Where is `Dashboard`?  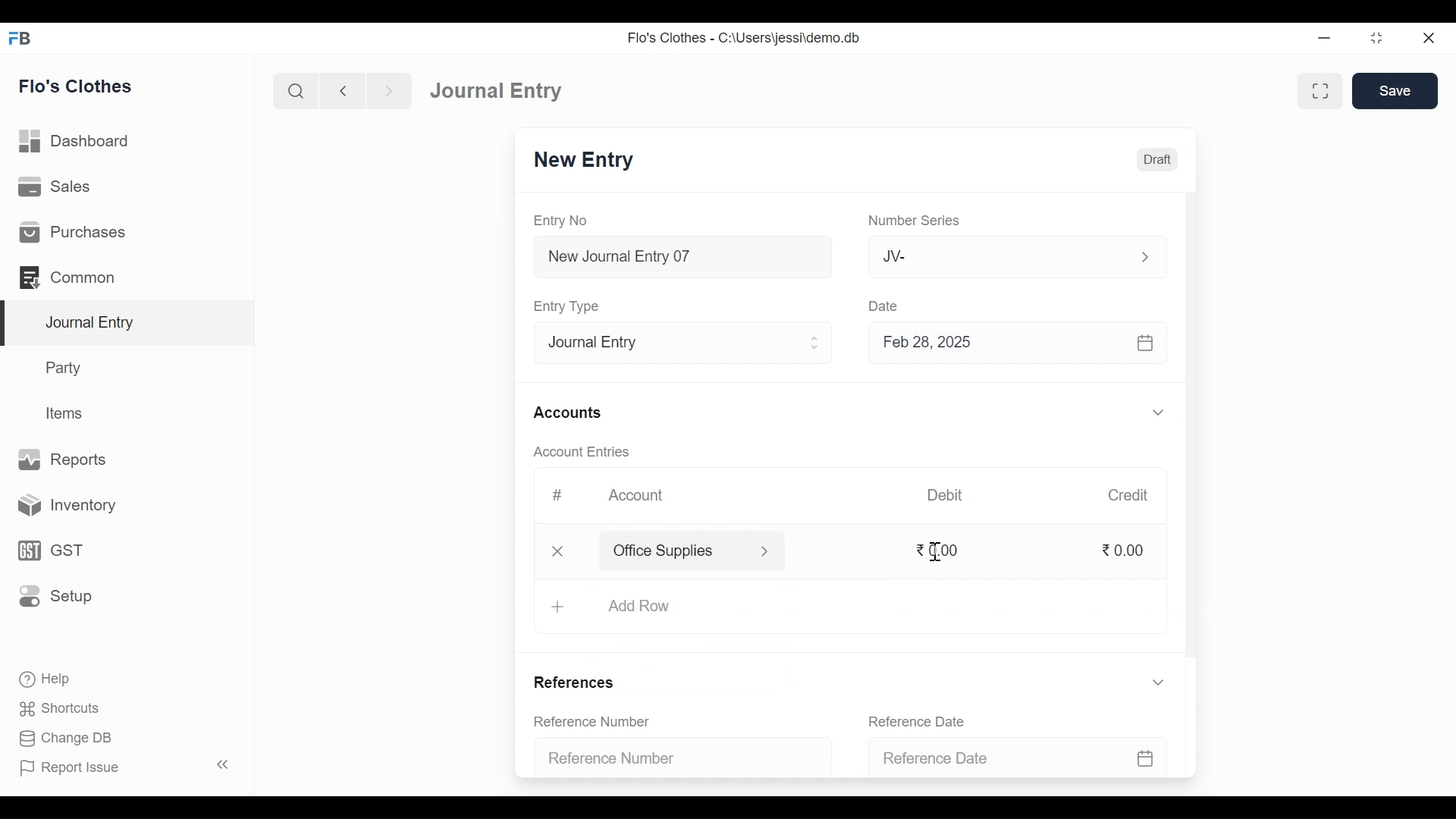
Dashboard is located at coordinates (75, 140).